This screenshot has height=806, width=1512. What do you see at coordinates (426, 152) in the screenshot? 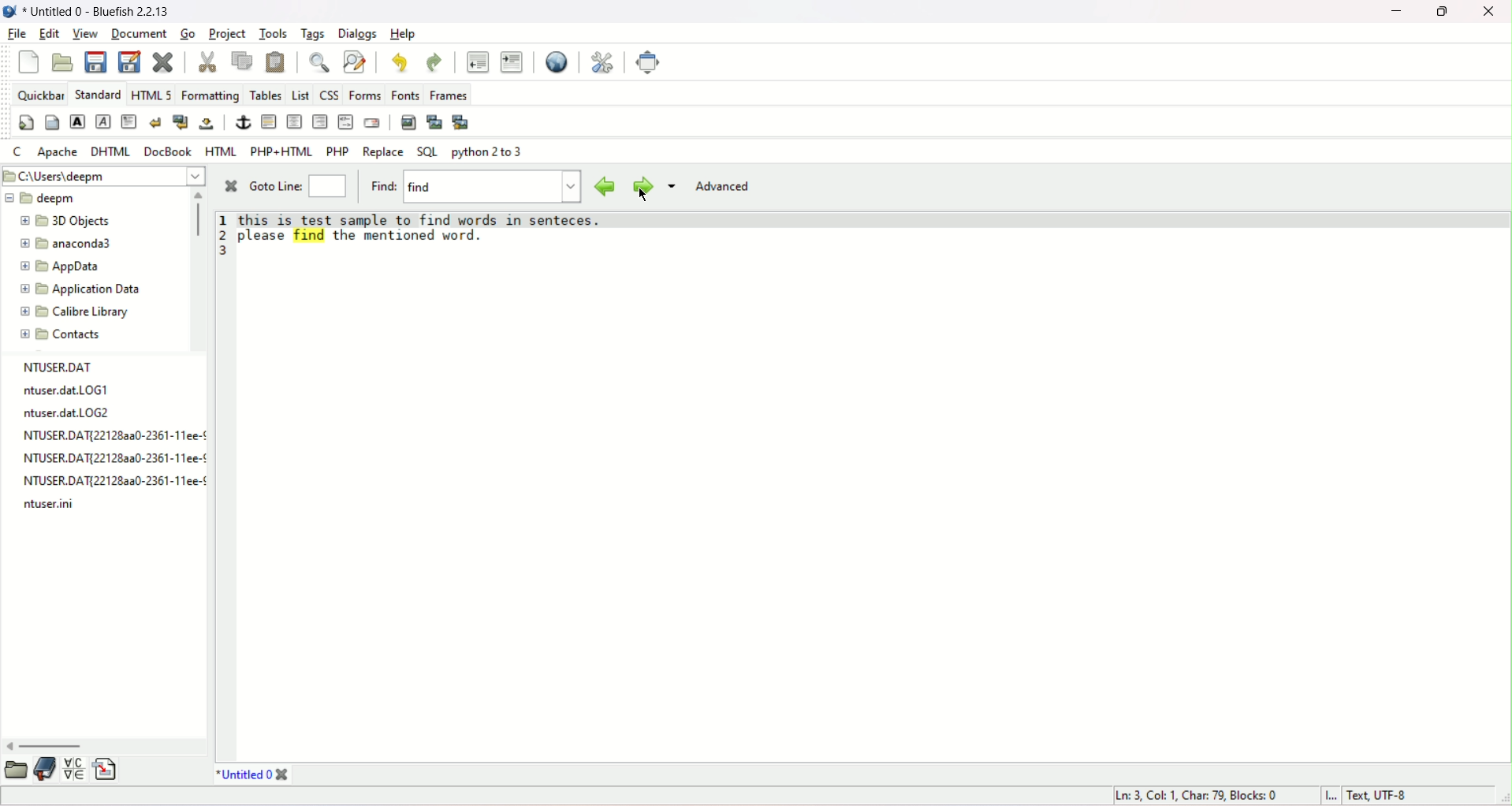
I see `SQL` at bounding box center [426, 152].